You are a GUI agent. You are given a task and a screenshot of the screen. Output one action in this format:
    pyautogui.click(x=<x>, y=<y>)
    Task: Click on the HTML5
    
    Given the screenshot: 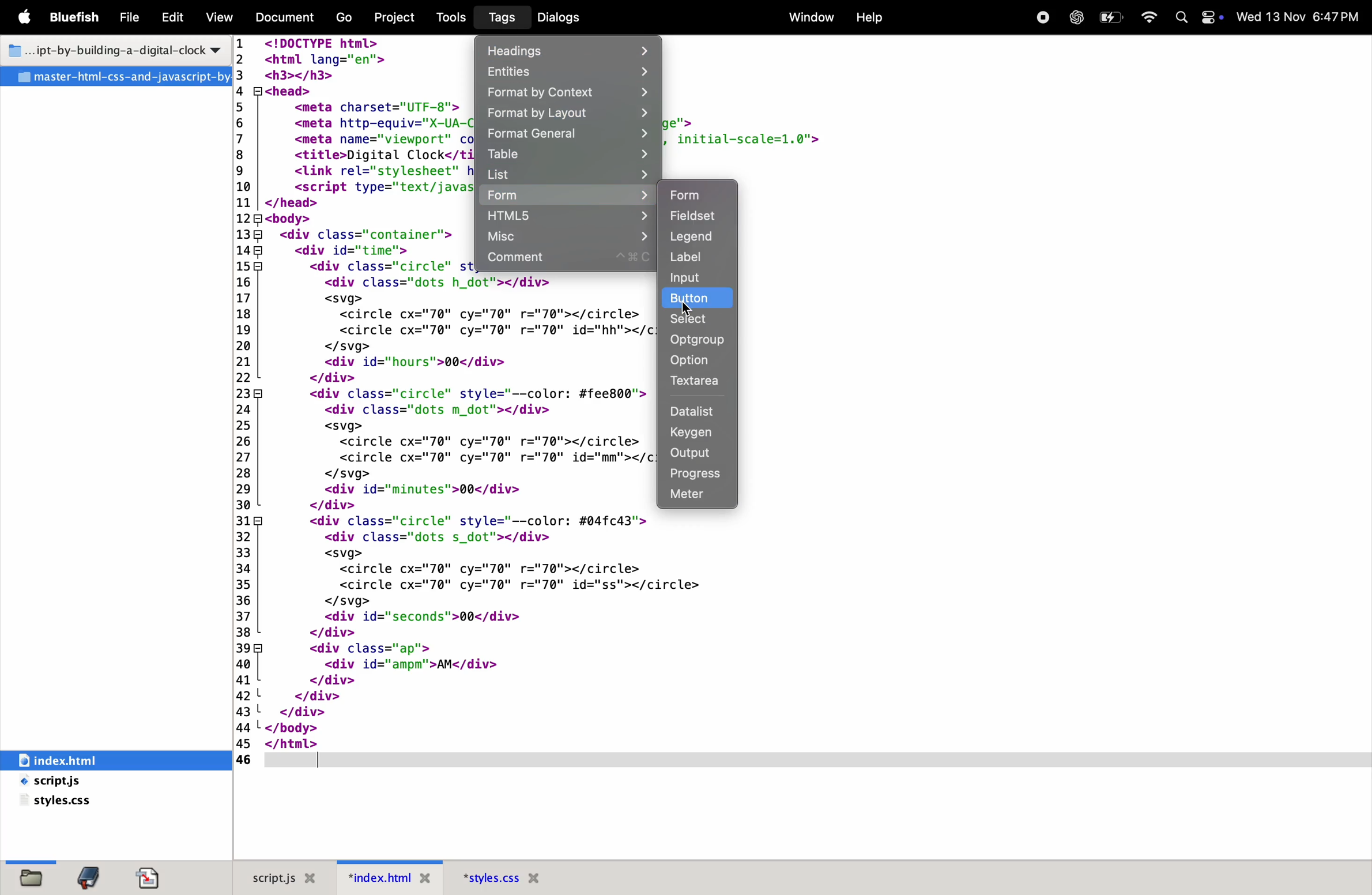 What is the action you would take?
    pyautogui.click(x=568, y=216)
    